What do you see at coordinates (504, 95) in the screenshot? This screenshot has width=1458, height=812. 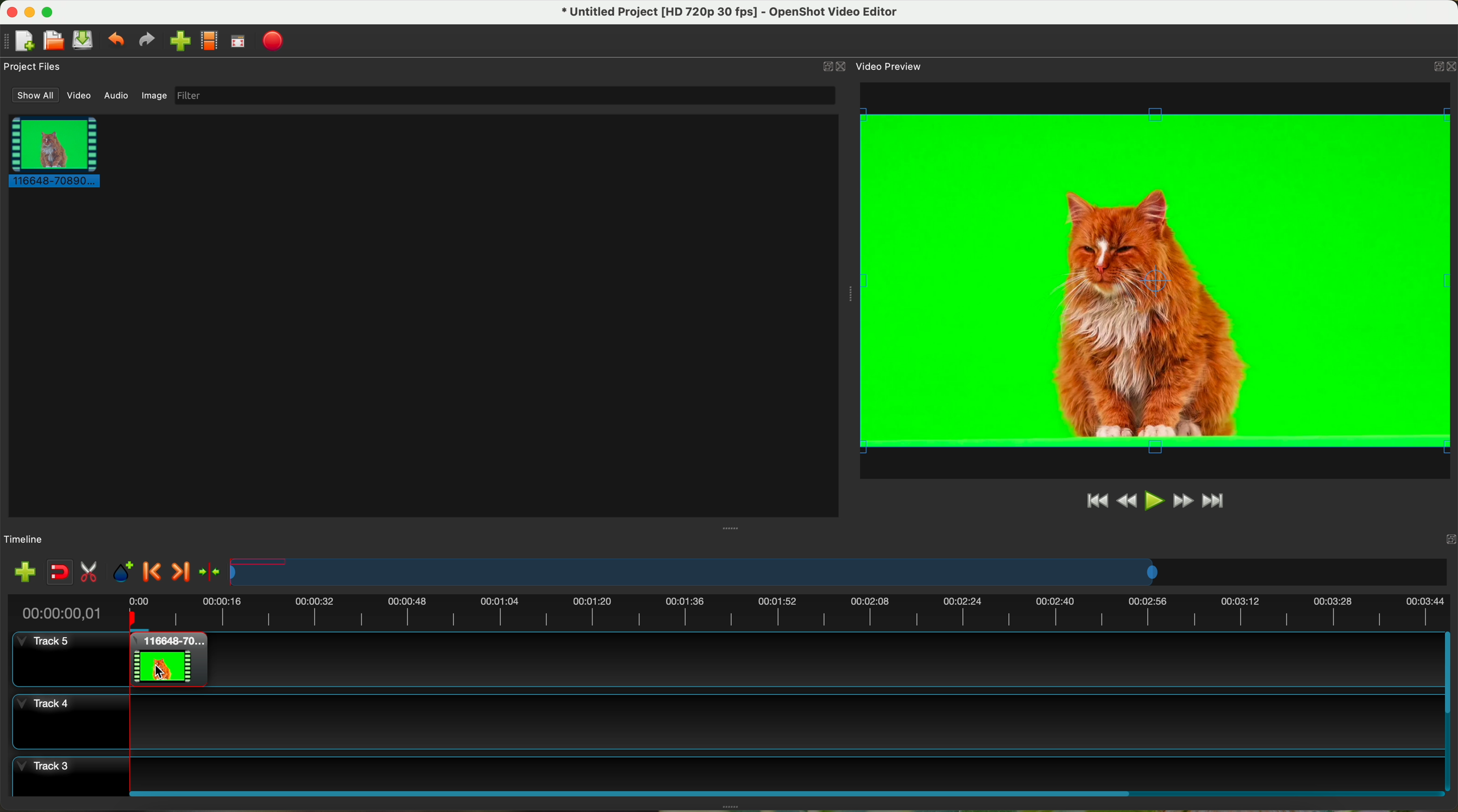 I see `filter` at bounding box center [504, 95].